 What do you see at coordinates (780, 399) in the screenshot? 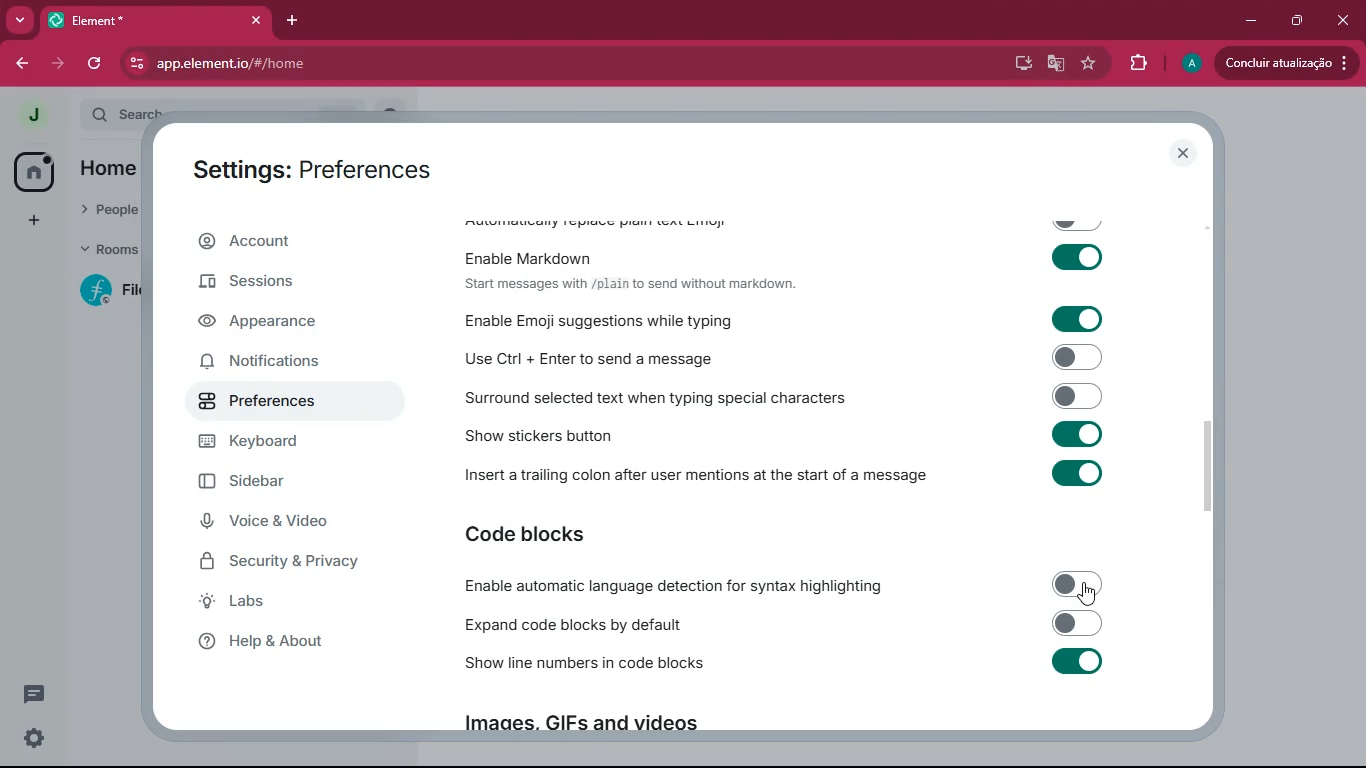
I see `Surround selected text when typing special characters` at bounding box center [780, 399].